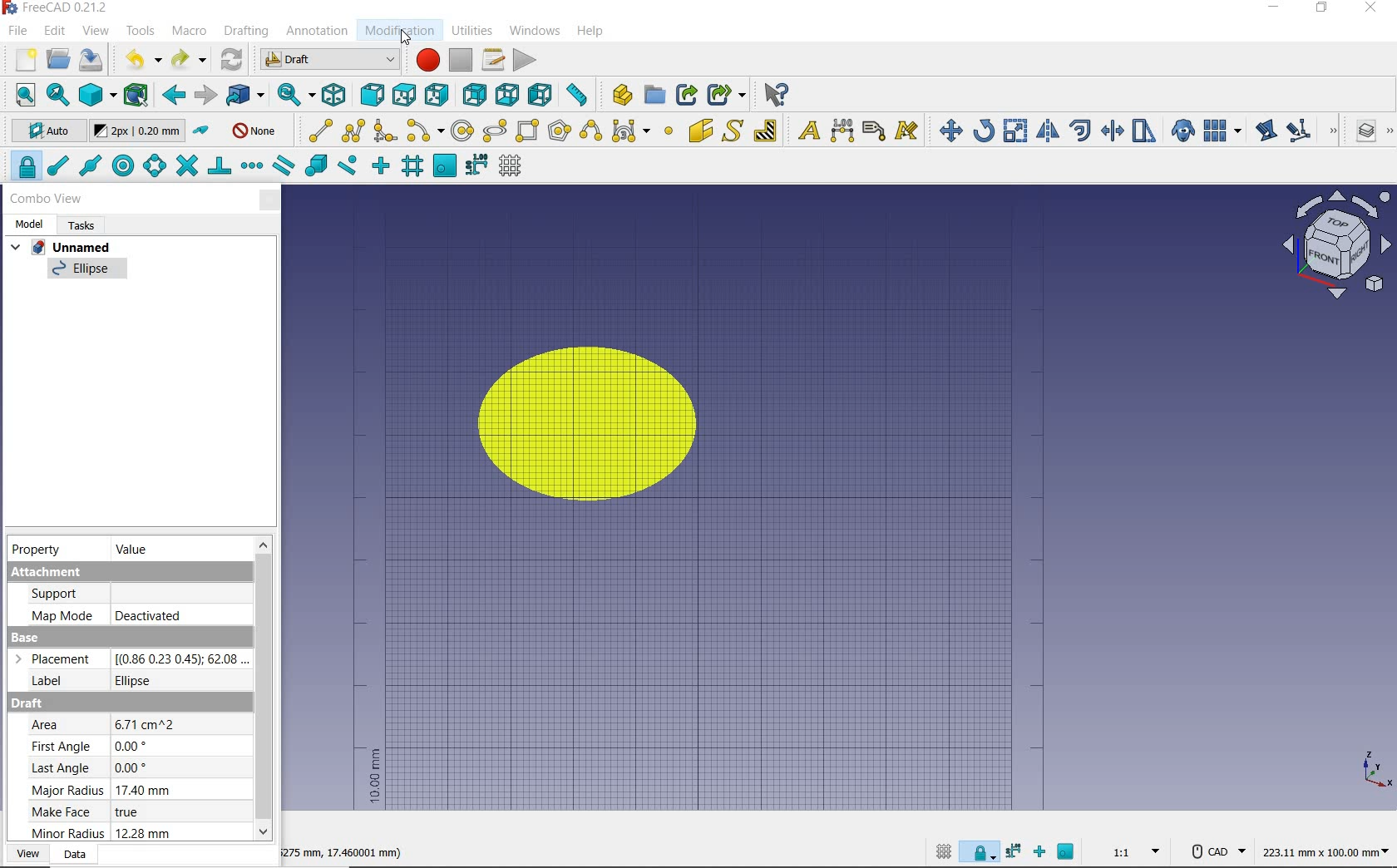 The image size is (1397, 868). What do you see at coordinates (1359, 133) in the screenshot?
I see `manage layers` at bounding box center [1359, 133].